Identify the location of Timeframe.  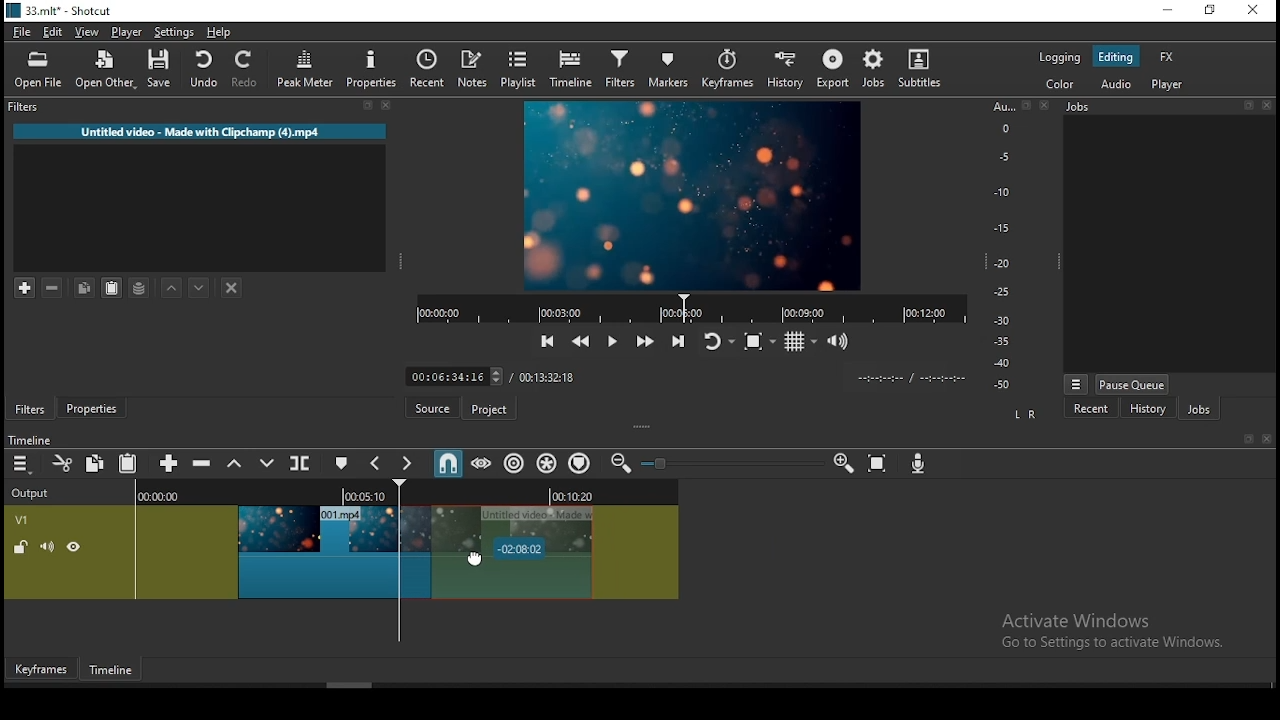
(116, 672).